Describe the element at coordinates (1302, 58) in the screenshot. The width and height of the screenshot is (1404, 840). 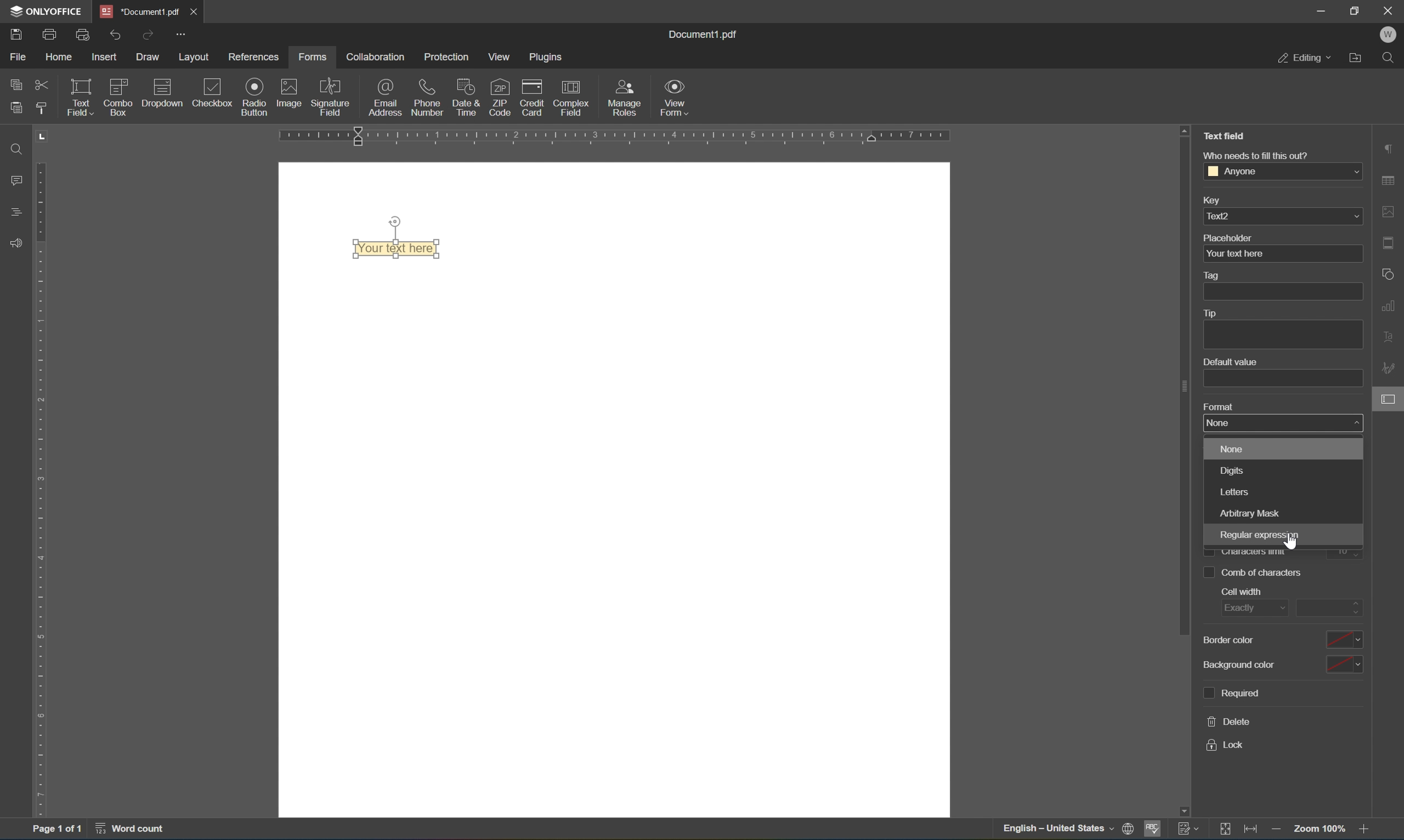
I see `editing` at that location.